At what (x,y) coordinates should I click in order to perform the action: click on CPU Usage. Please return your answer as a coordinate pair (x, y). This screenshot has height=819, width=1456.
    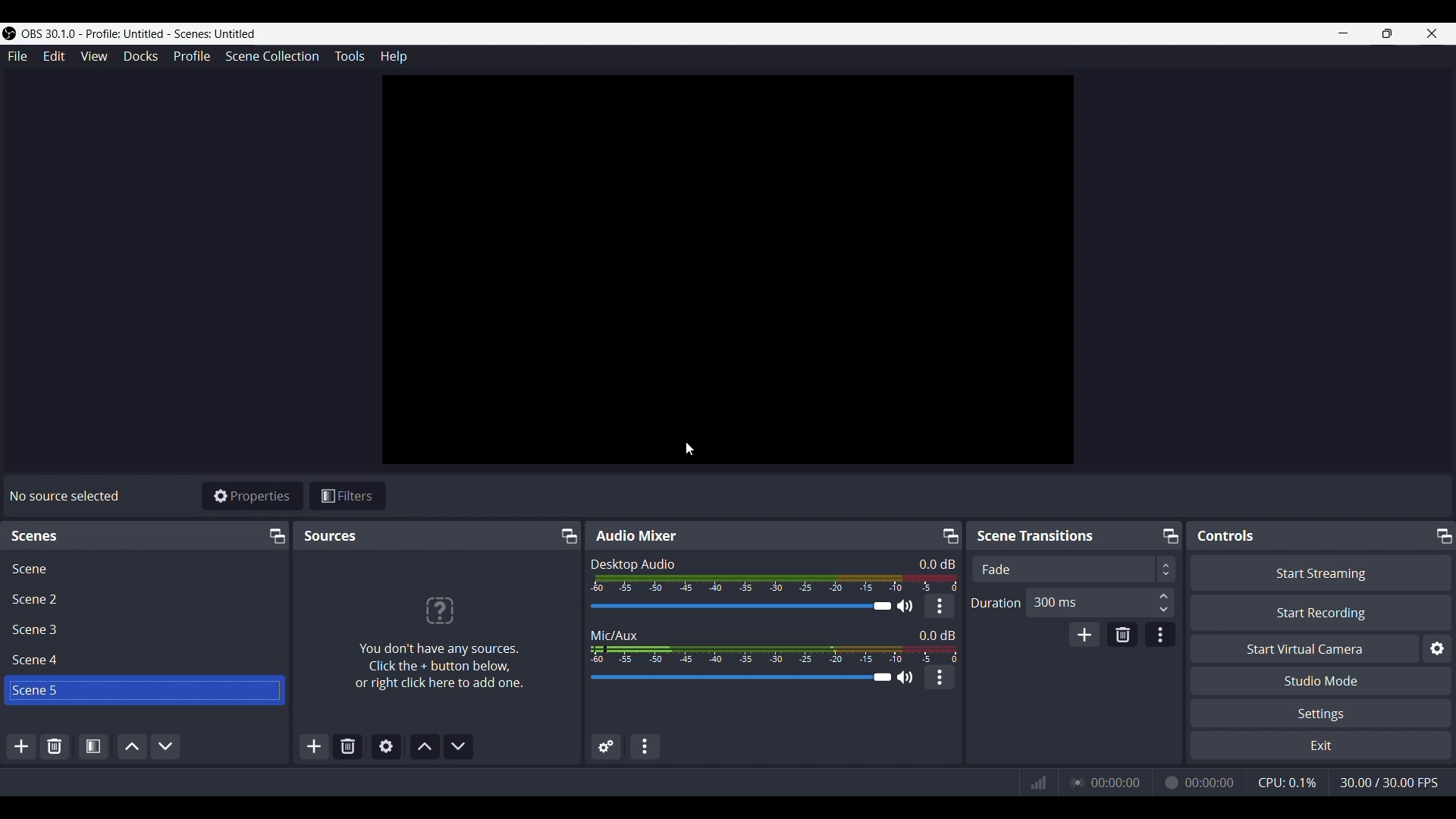
    Looking at the image, I should click on (1286, 781).